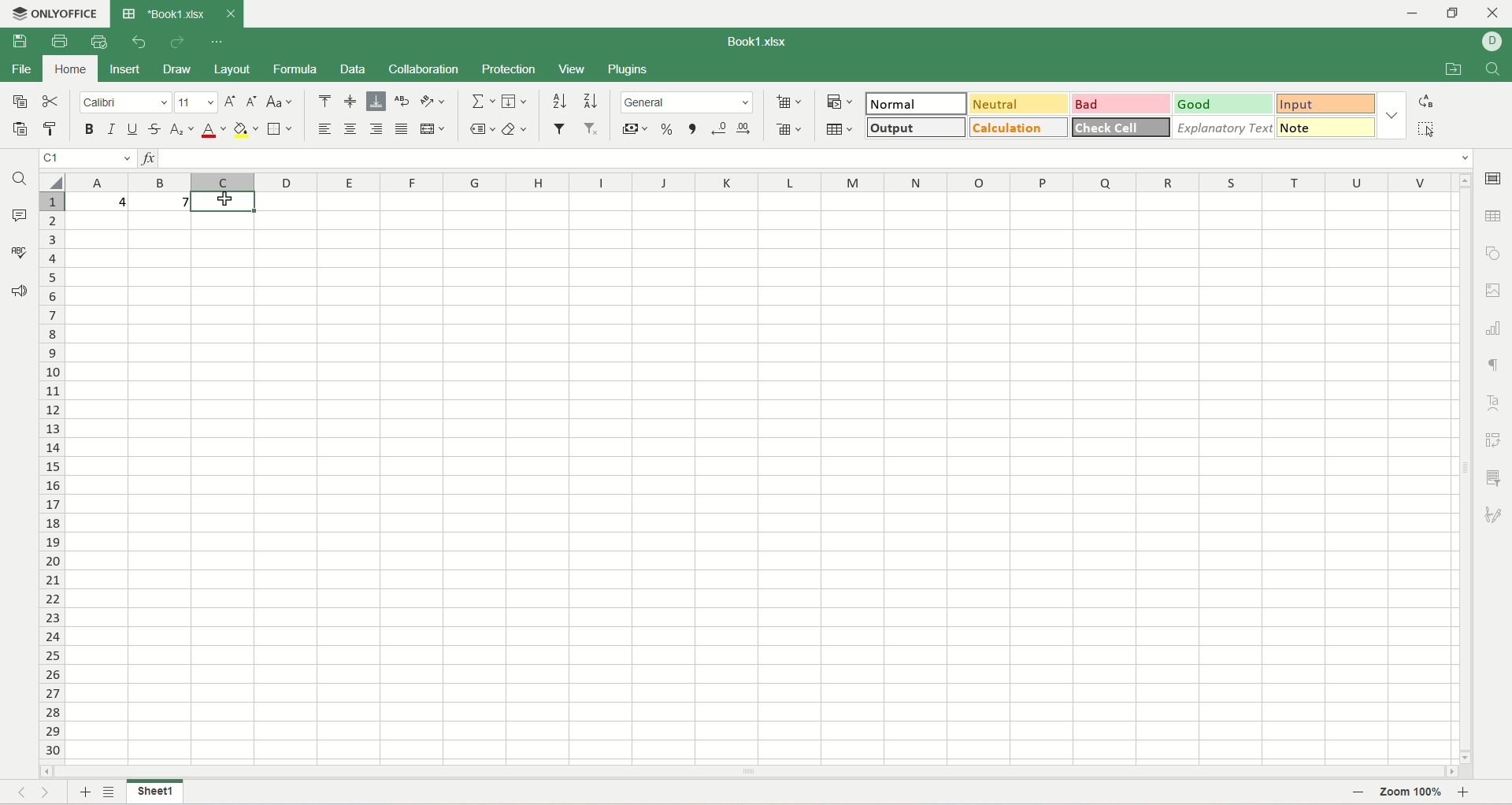  Describe the element at coordinates (352, 129) in the screenshot. I see `align center` at that location.